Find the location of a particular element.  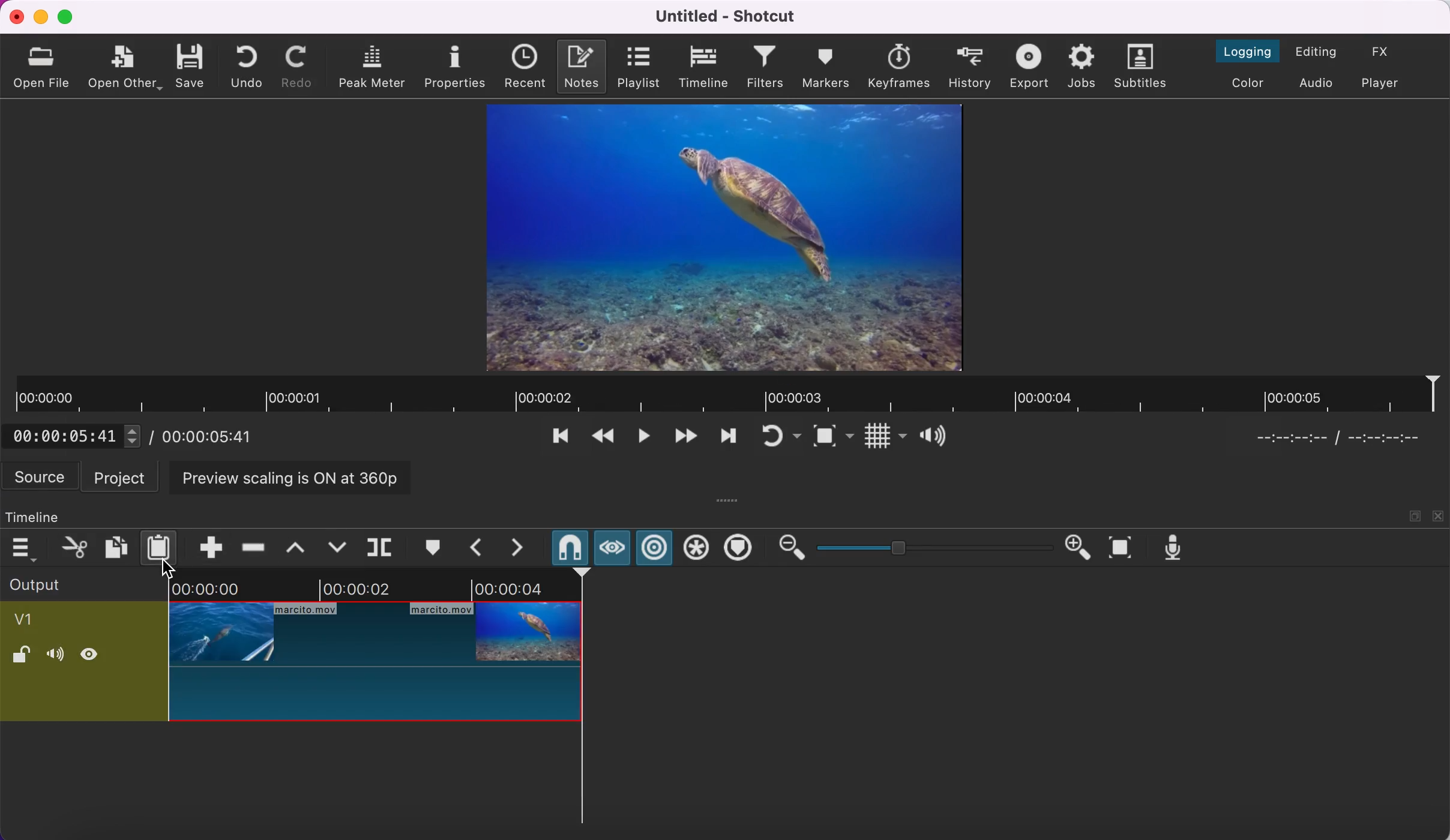

ripple markers is located at coordinates (739, 548).